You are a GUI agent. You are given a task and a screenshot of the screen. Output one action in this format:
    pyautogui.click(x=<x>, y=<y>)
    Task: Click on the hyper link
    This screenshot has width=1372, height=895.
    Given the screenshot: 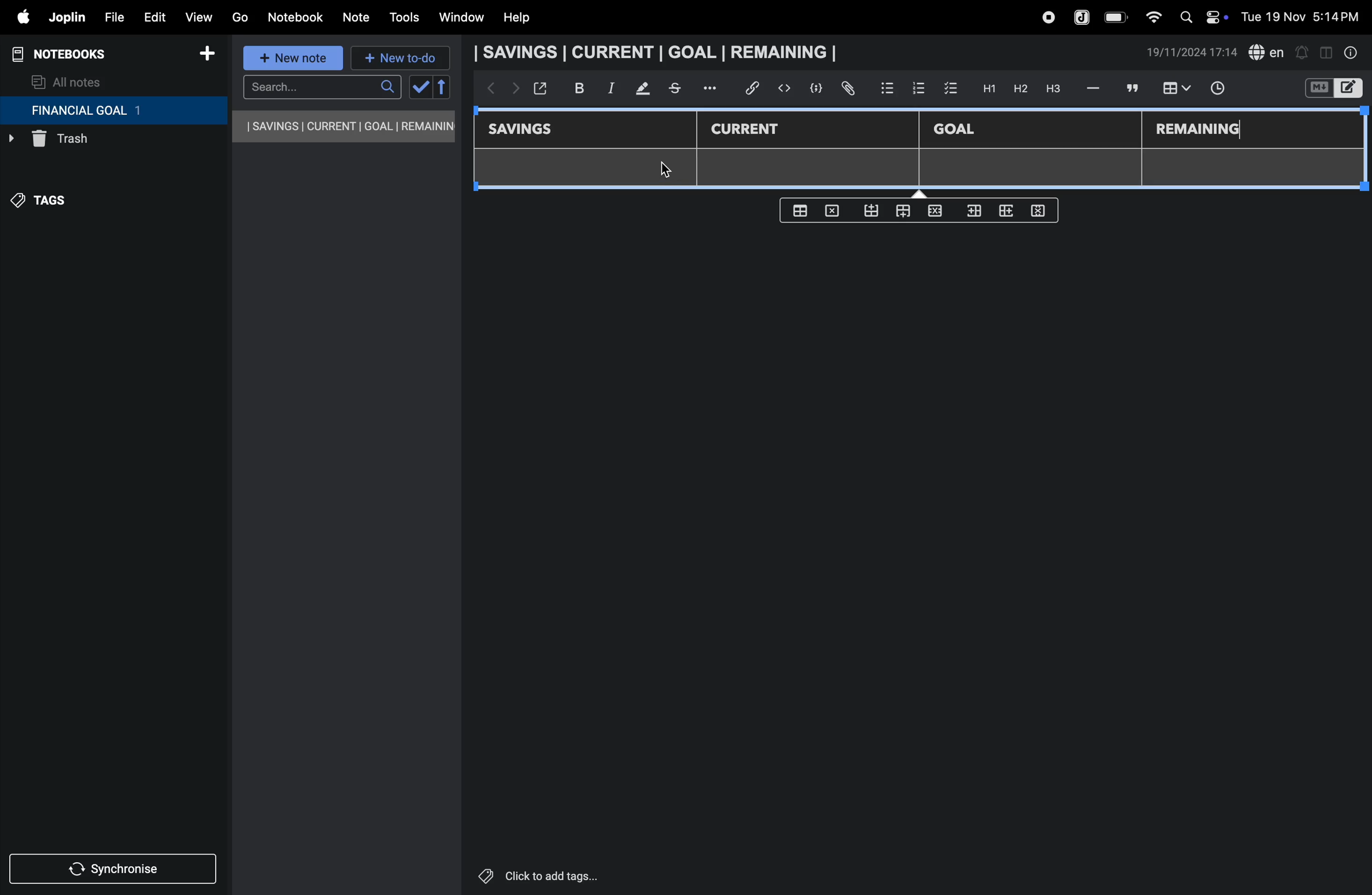 What is the action you would take?
    pyautogui.click(x=756, y=88)
    